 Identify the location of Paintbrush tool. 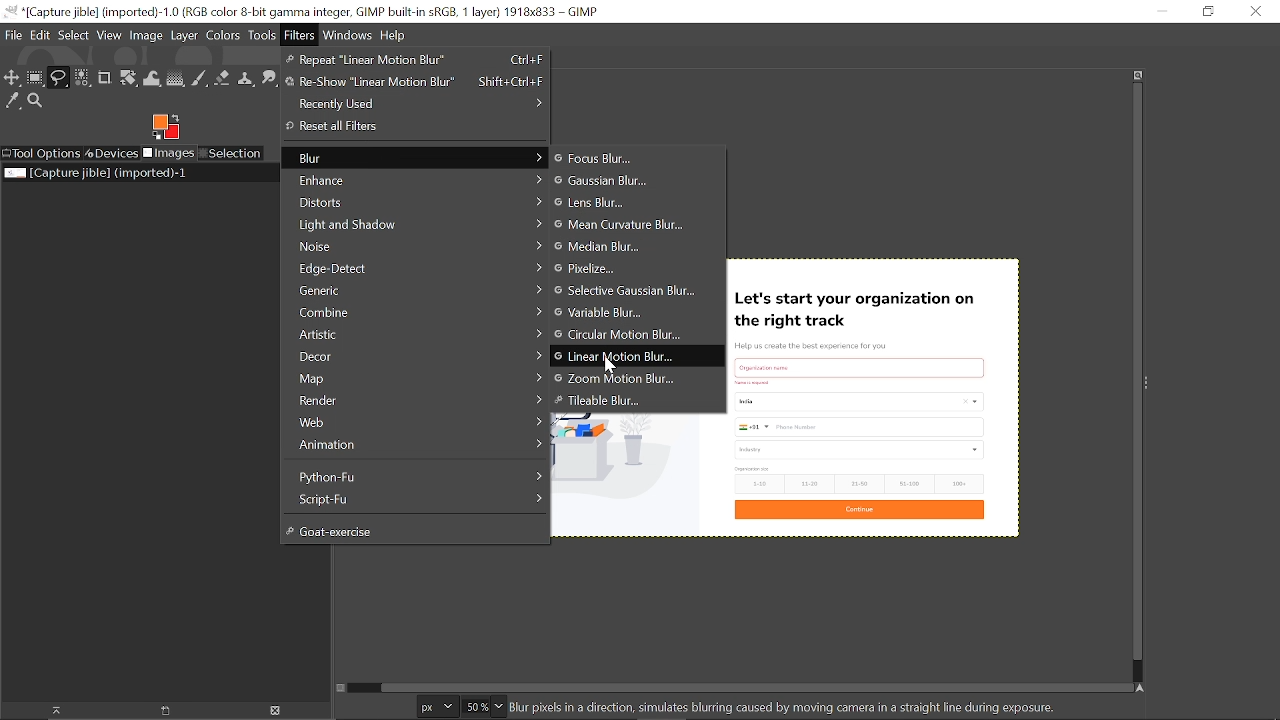
(200, 79).